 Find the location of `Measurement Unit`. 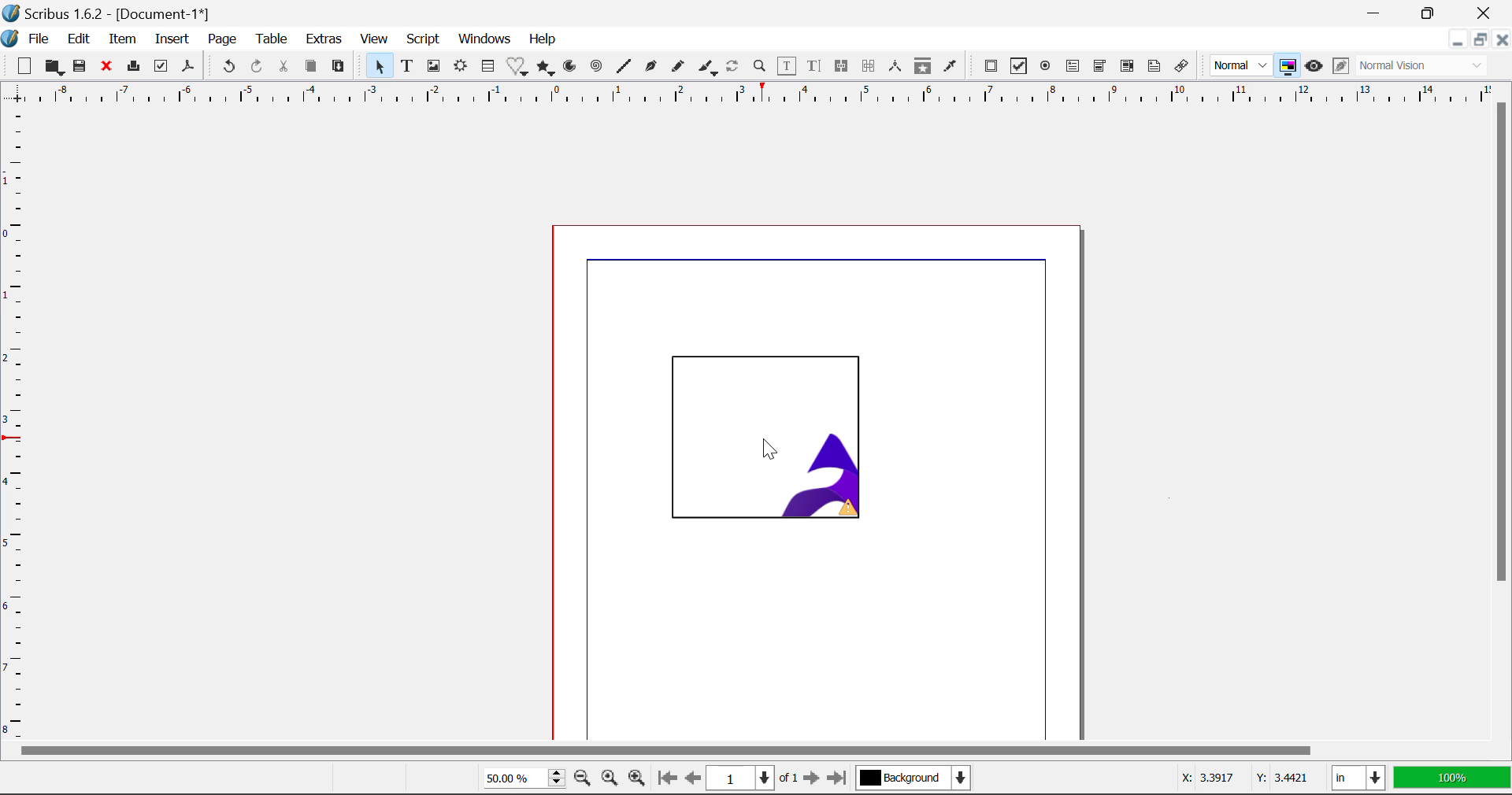

Measurement Unit is located at coordinates (1356, 777).